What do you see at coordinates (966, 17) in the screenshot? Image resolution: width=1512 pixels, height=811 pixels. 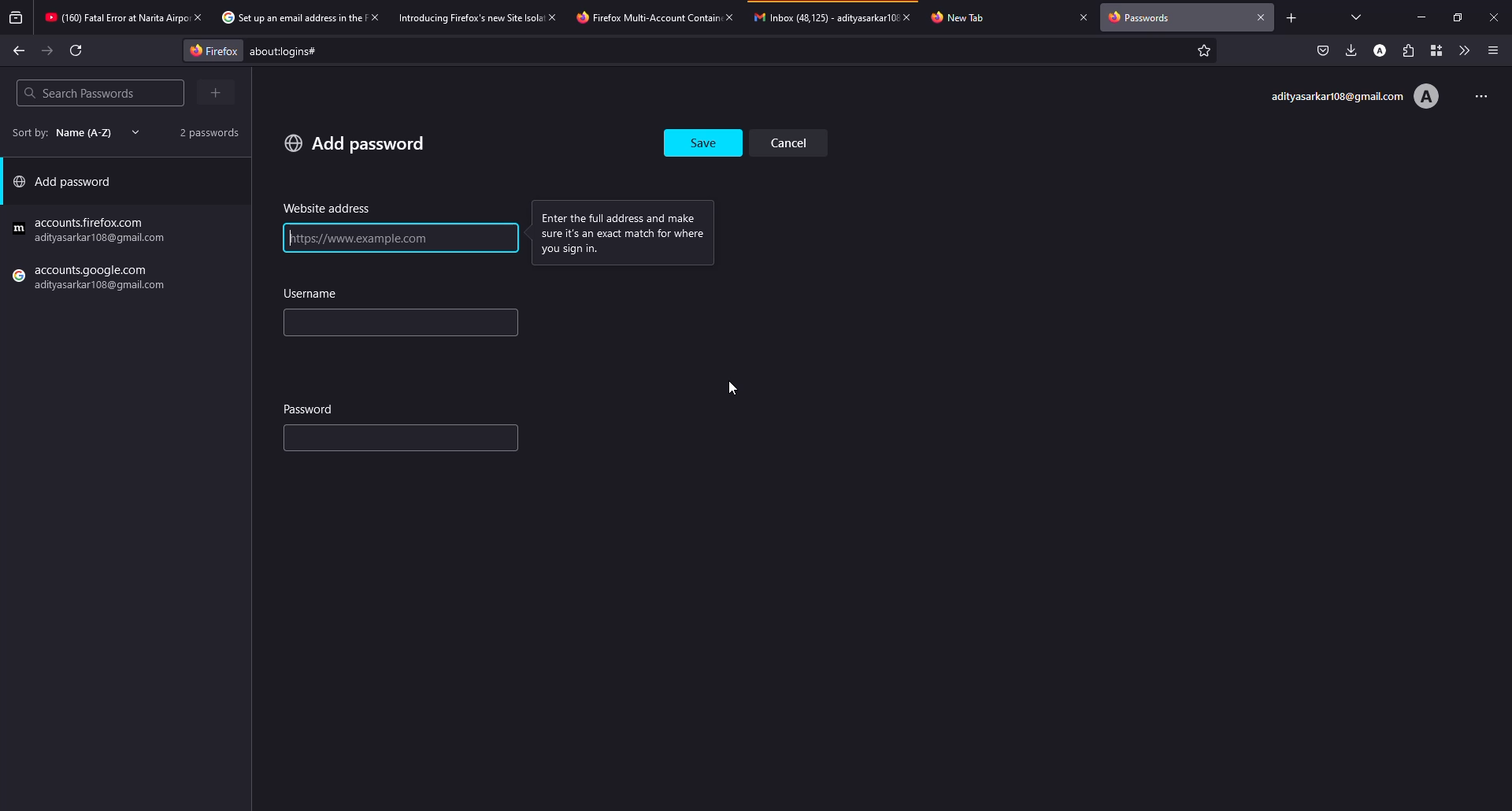 I see `tab` at bounding box center [966, 17].